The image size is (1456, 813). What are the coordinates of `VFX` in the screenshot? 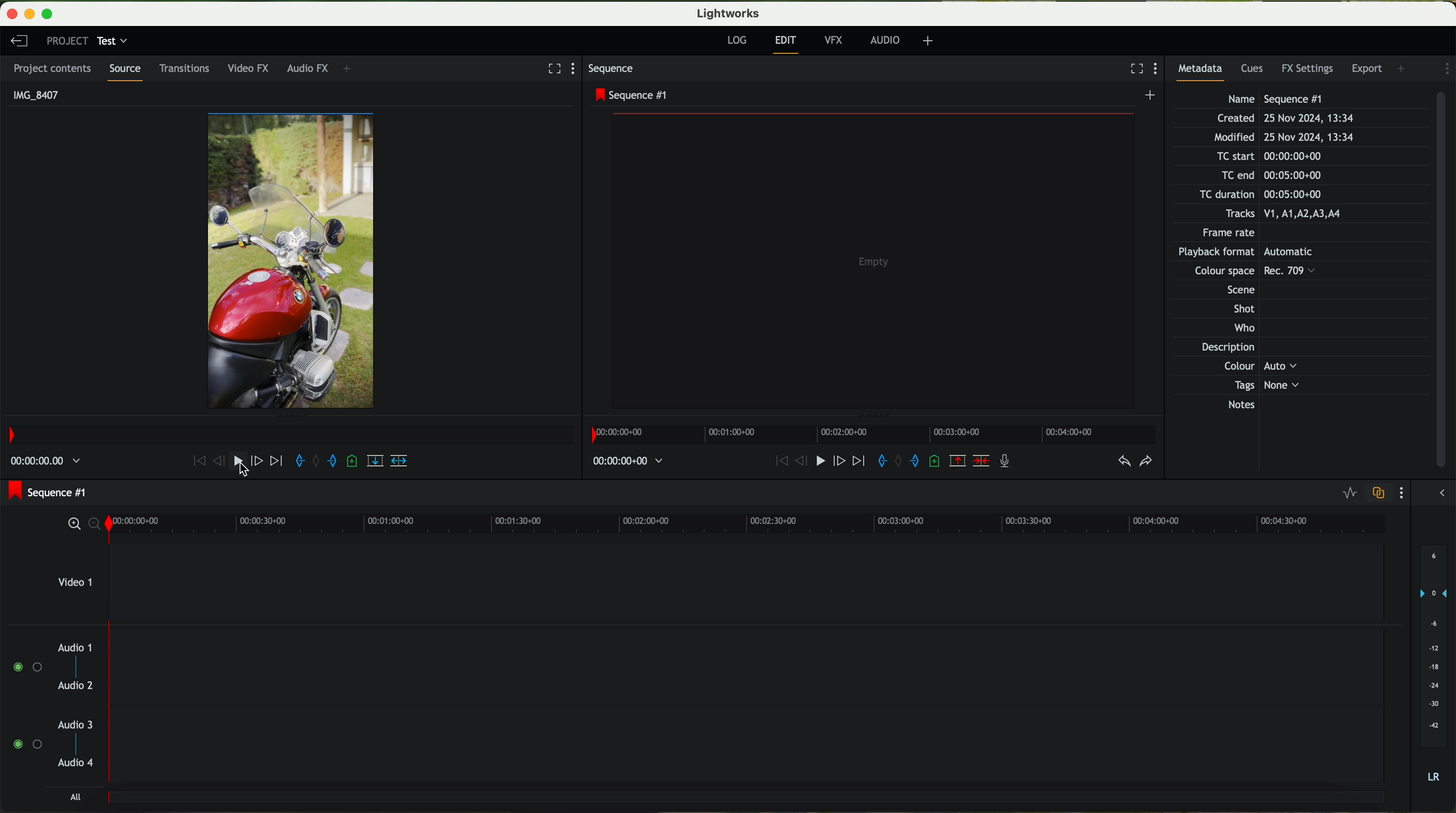 It's located at (836, 42).